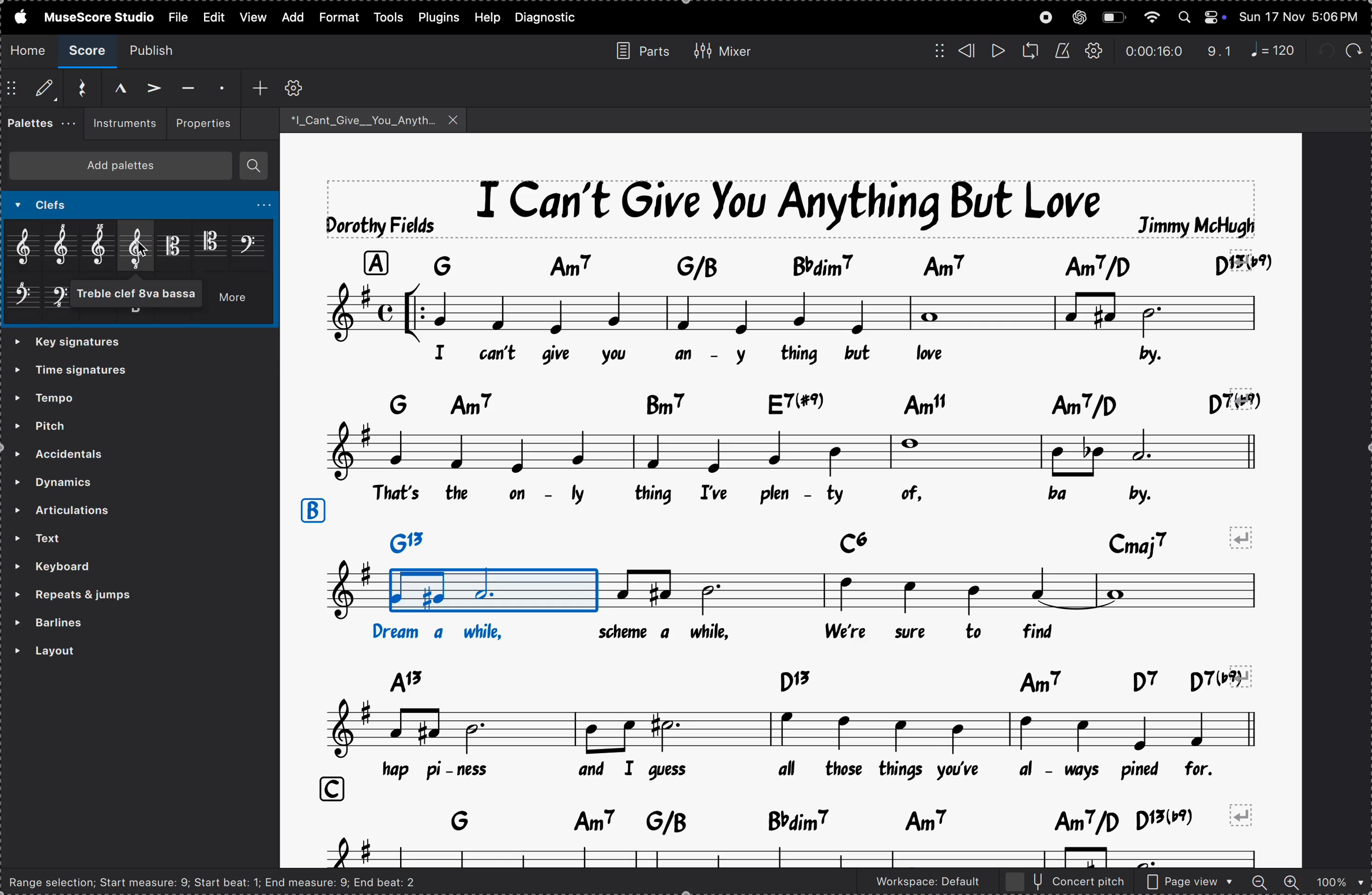 The width and height of the screenshot is (1372, 895). Describe the element at coordinates (105, 595) in the screenshot. I see `repeats and jumps` at that location.